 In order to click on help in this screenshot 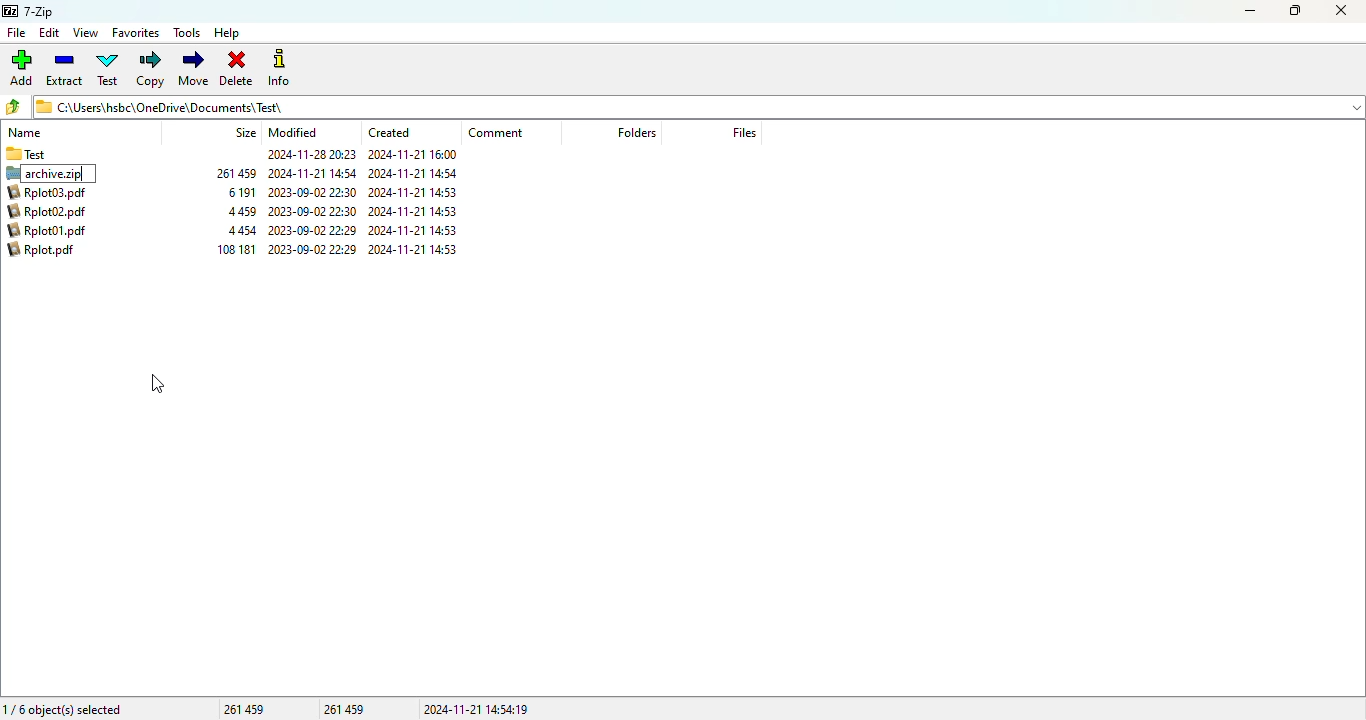, I will do `click(228, 33)`.